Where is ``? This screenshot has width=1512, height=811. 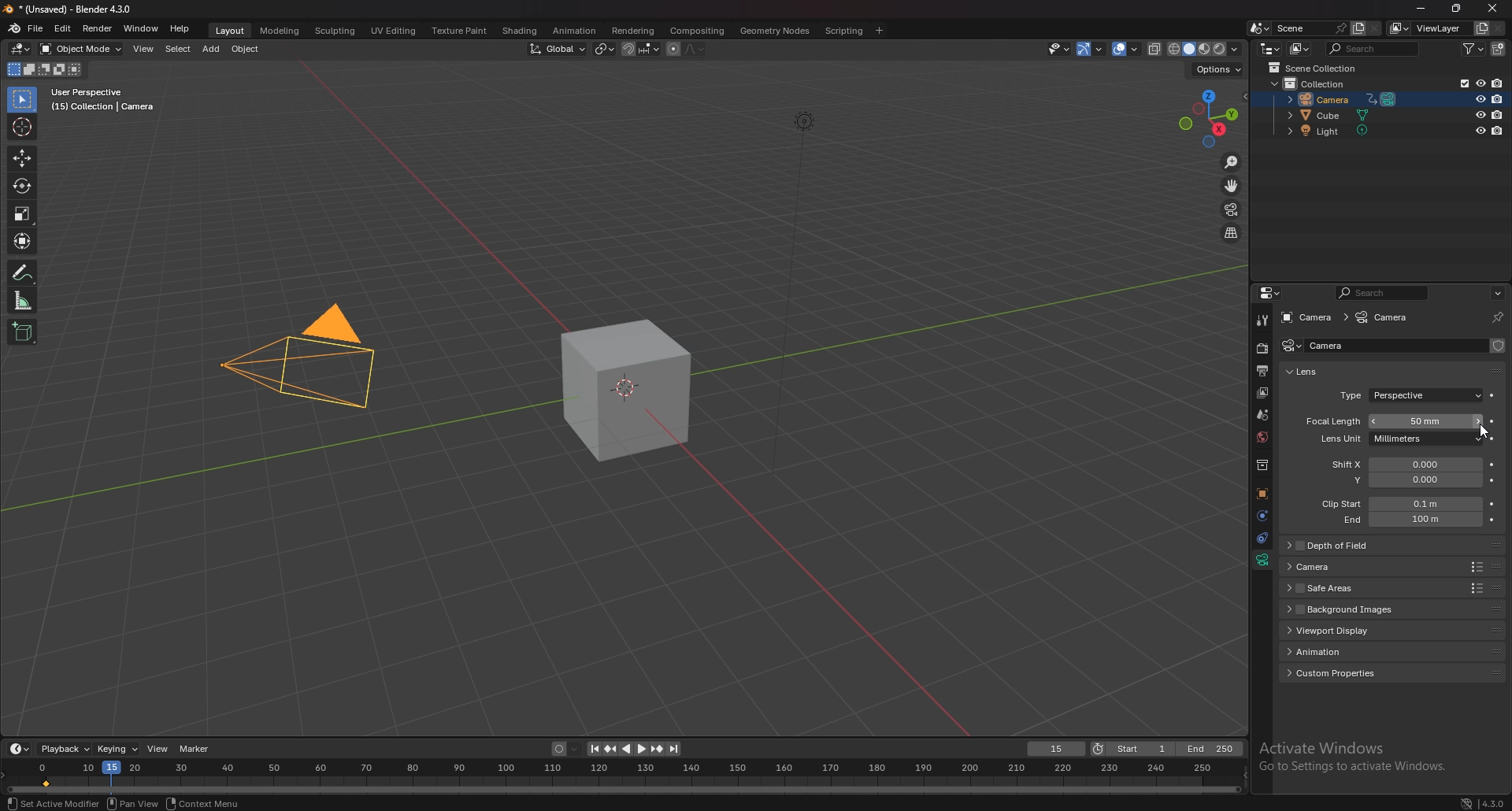
 is located at coordinates (1353, 758).